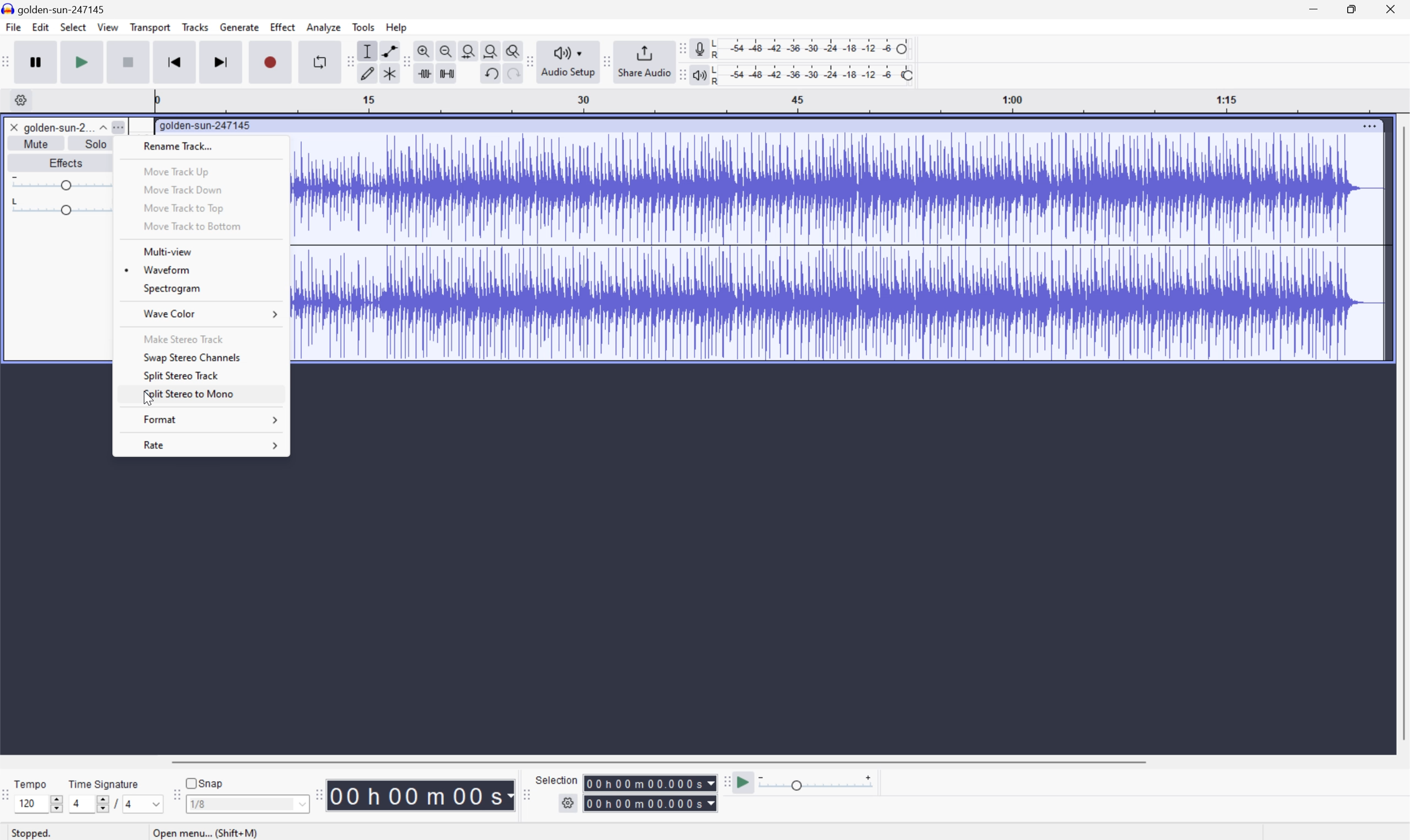 Image resolution: width=1410 pixels, height=840 pixels. I want to click on Audacity Play at speed toolbar, so click(724, 780).